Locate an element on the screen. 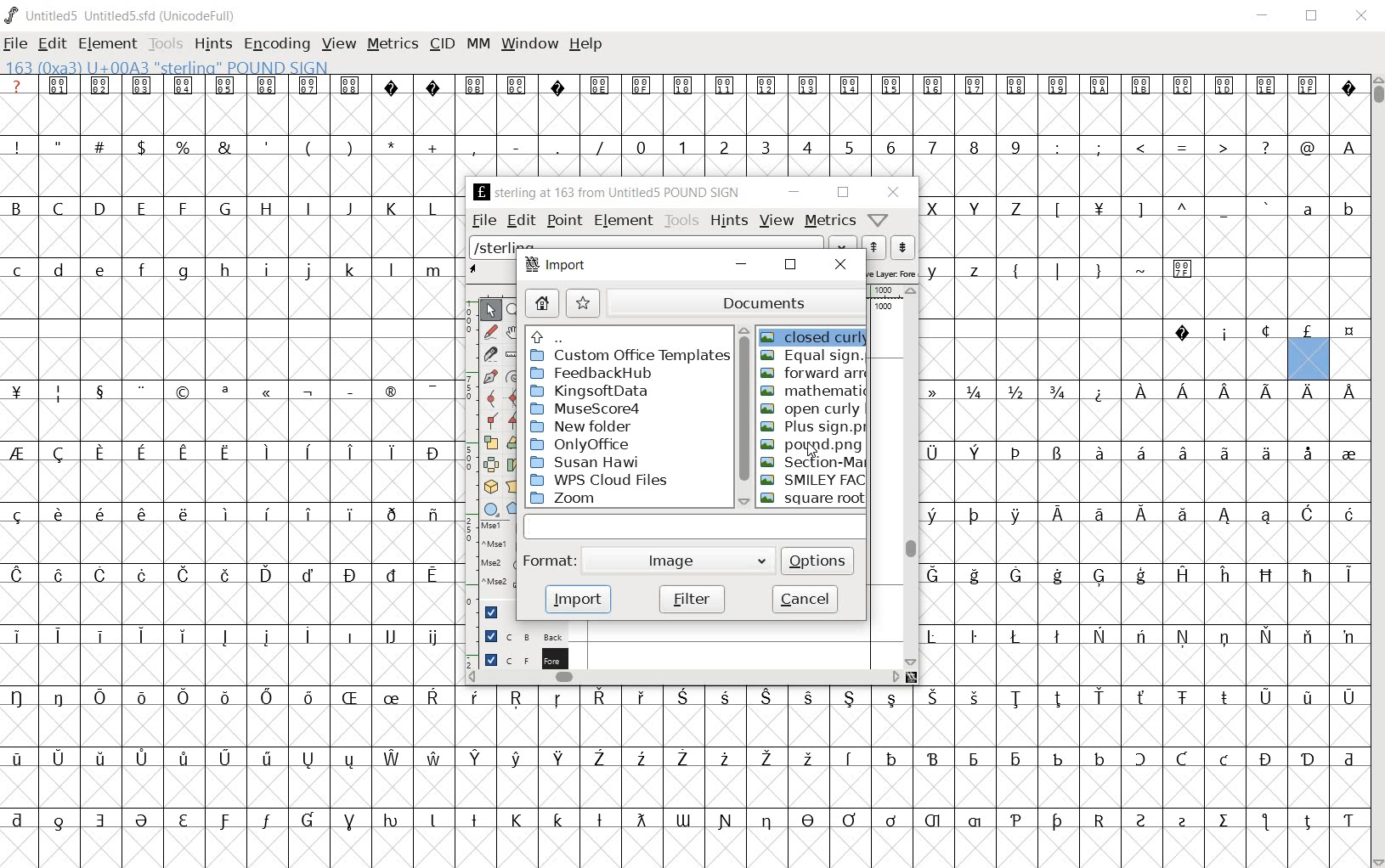  , is located at coordinates (474, 149).